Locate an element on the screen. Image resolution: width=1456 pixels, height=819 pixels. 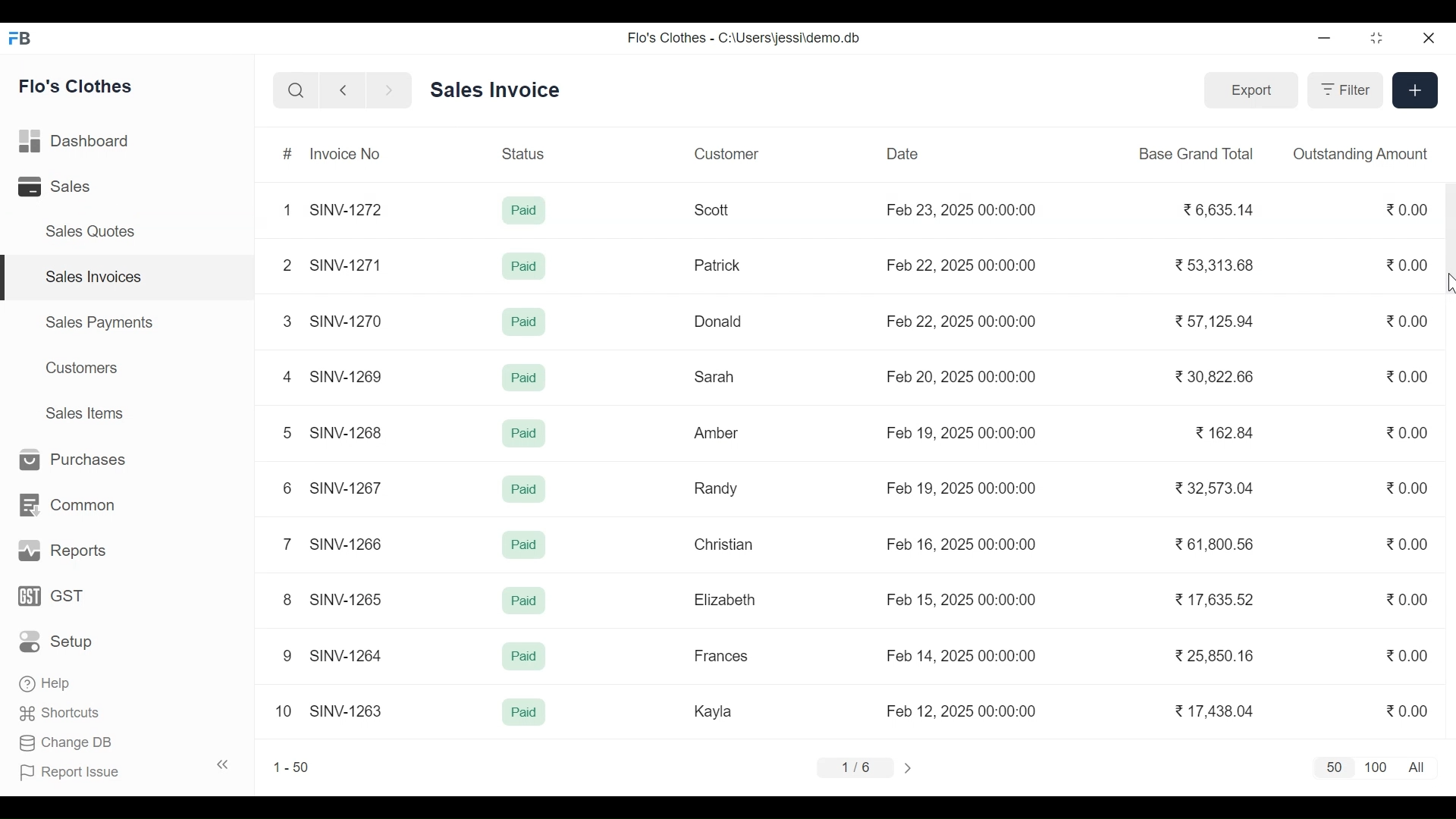
3 is located at coordinates (287, 321).